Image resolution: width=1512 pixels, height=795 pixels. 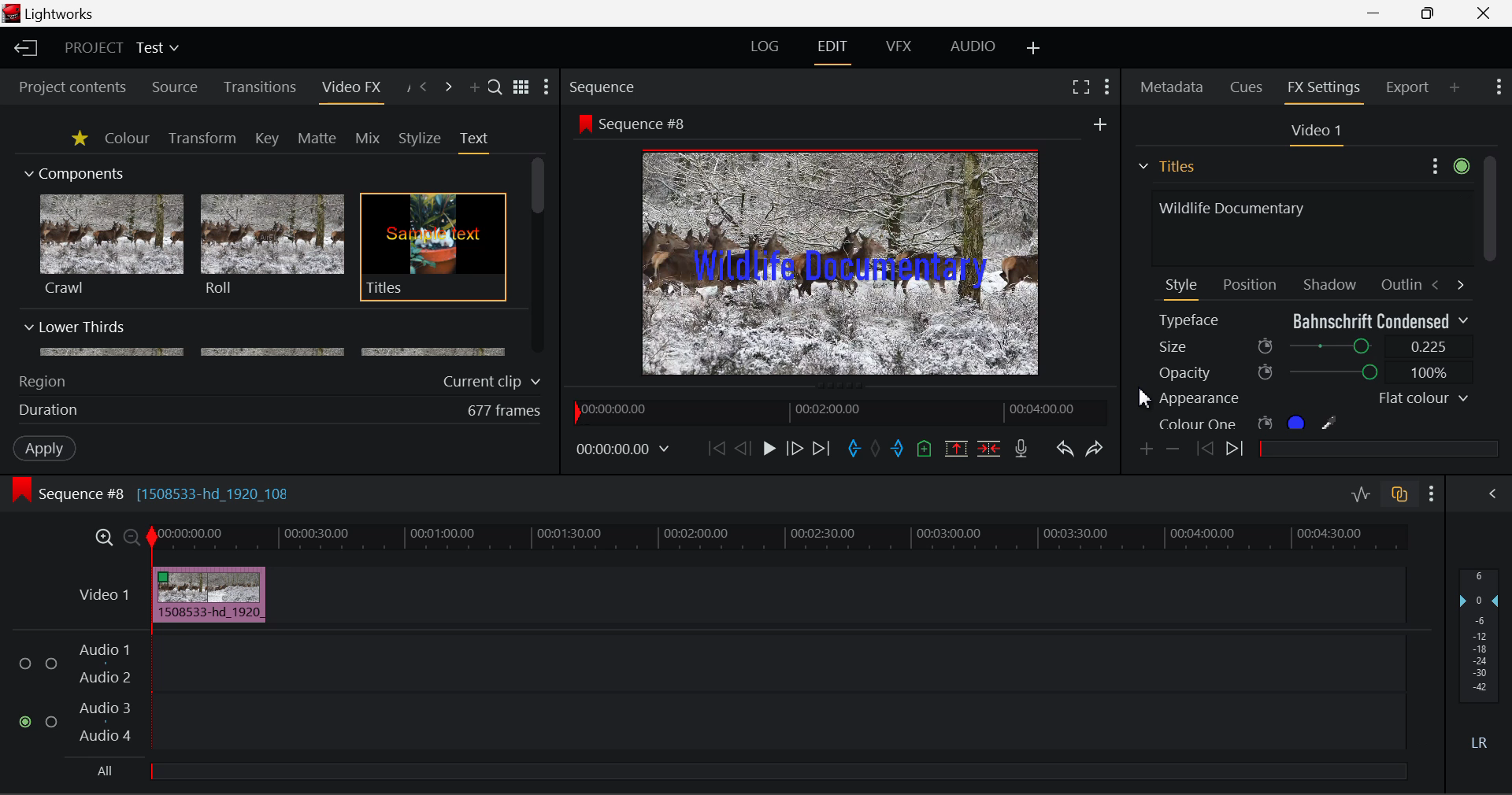 I want to click on Toggle audio levels editing, so click(x=1359, y=492).